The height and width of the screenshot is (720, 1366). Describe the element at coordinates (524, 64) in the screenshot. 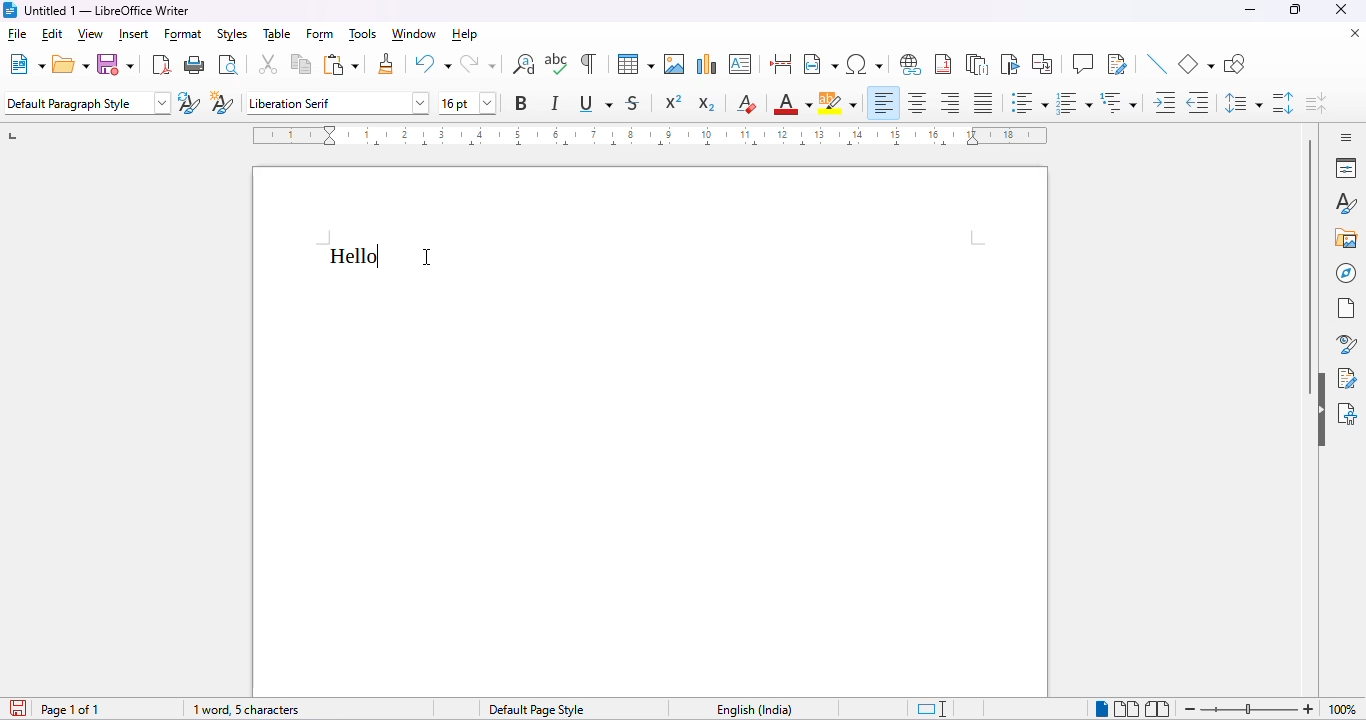

I see `find and replace` at that location.